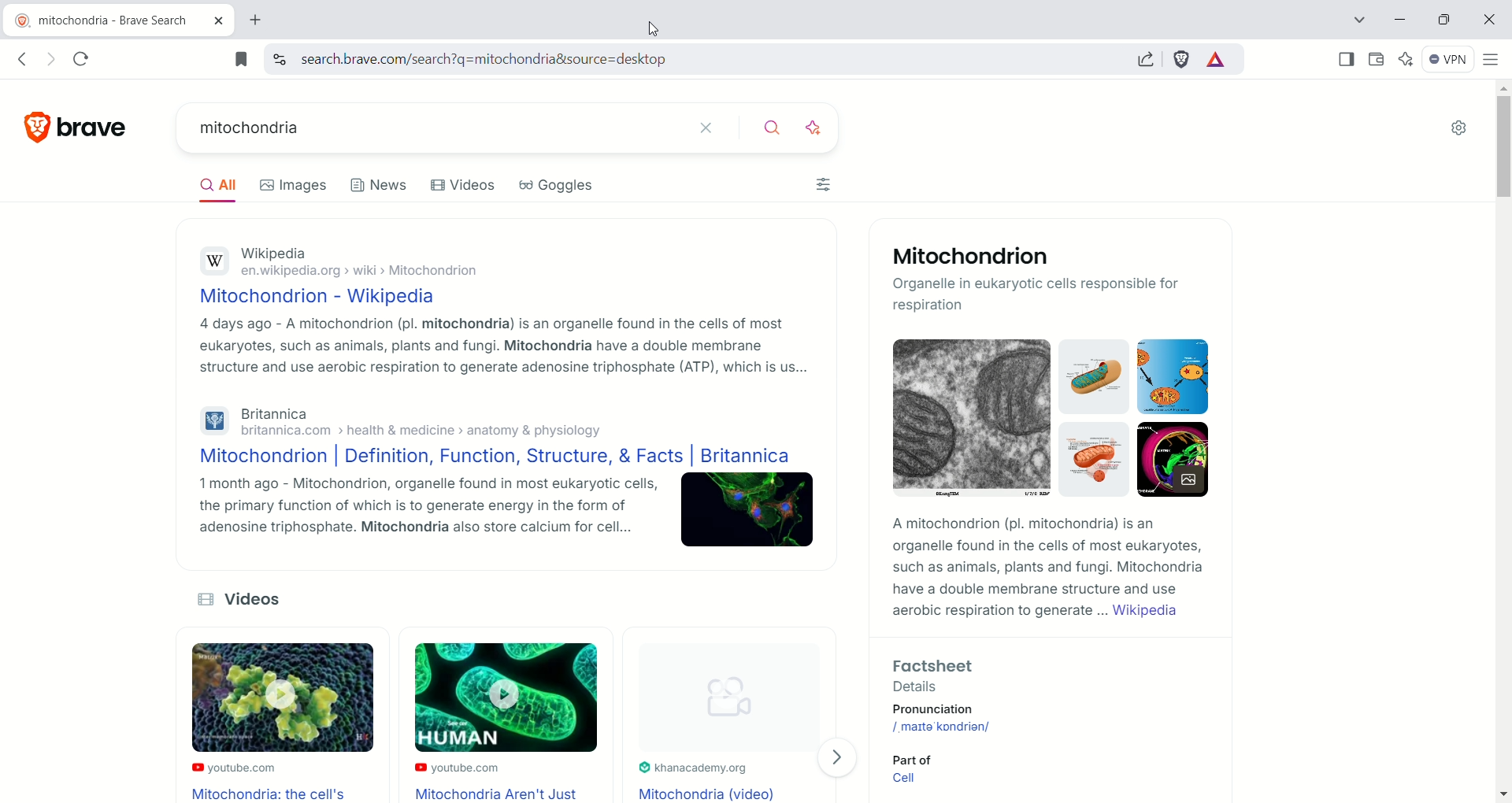 The image size is (1512, 803). I want to click on All, so click(206, 190).